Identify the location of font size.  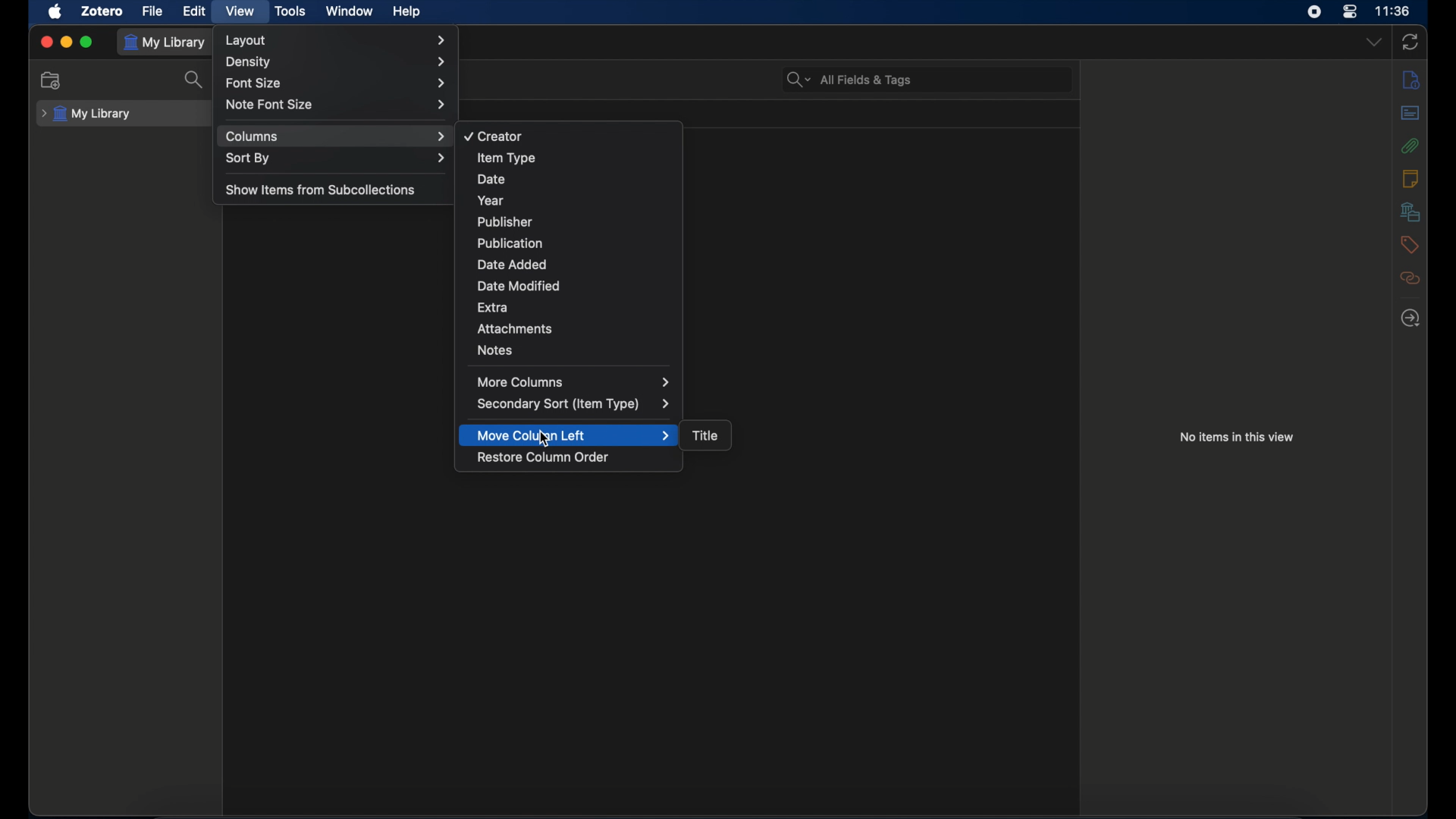
(335, 84).